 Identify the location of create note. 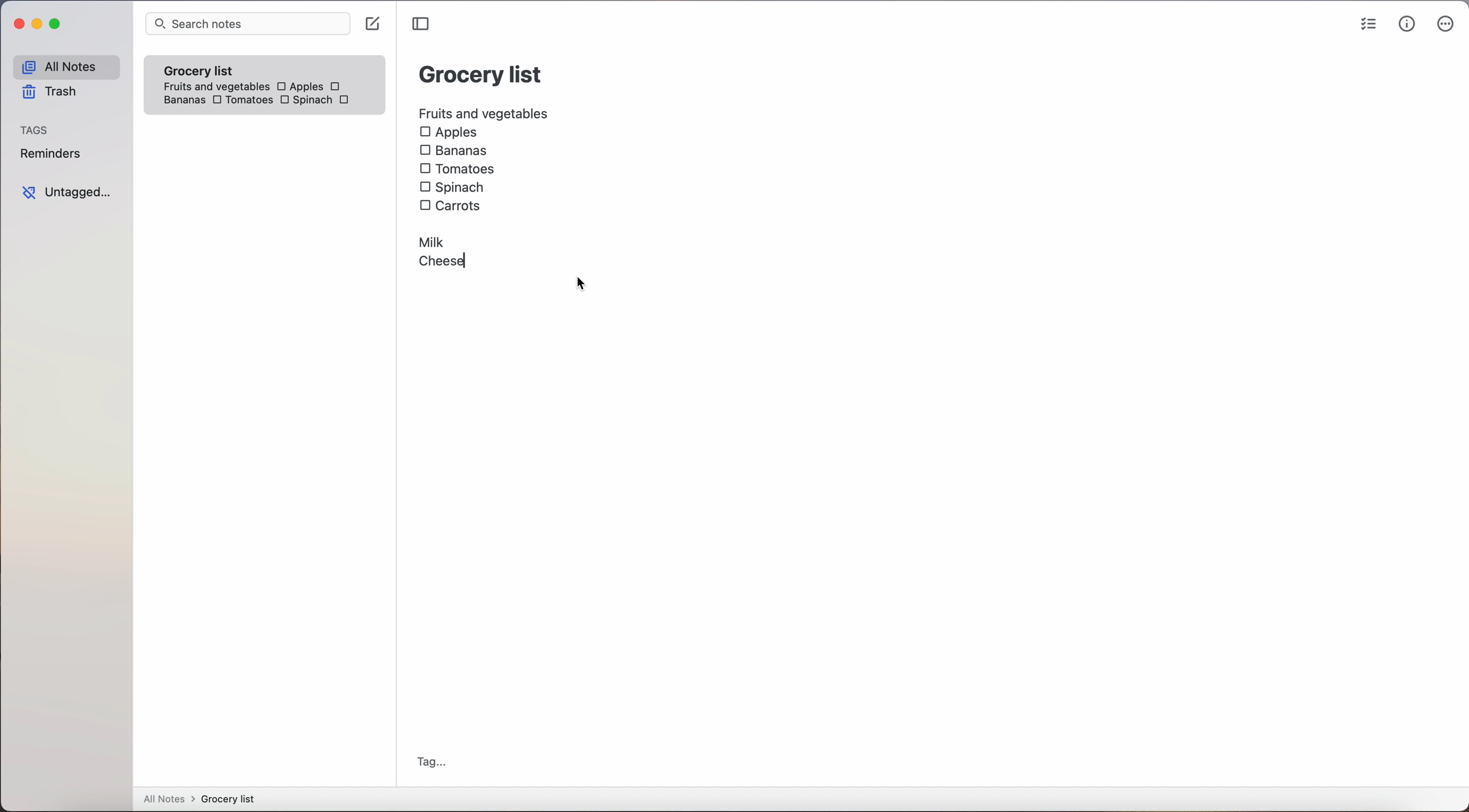
(375, 25).